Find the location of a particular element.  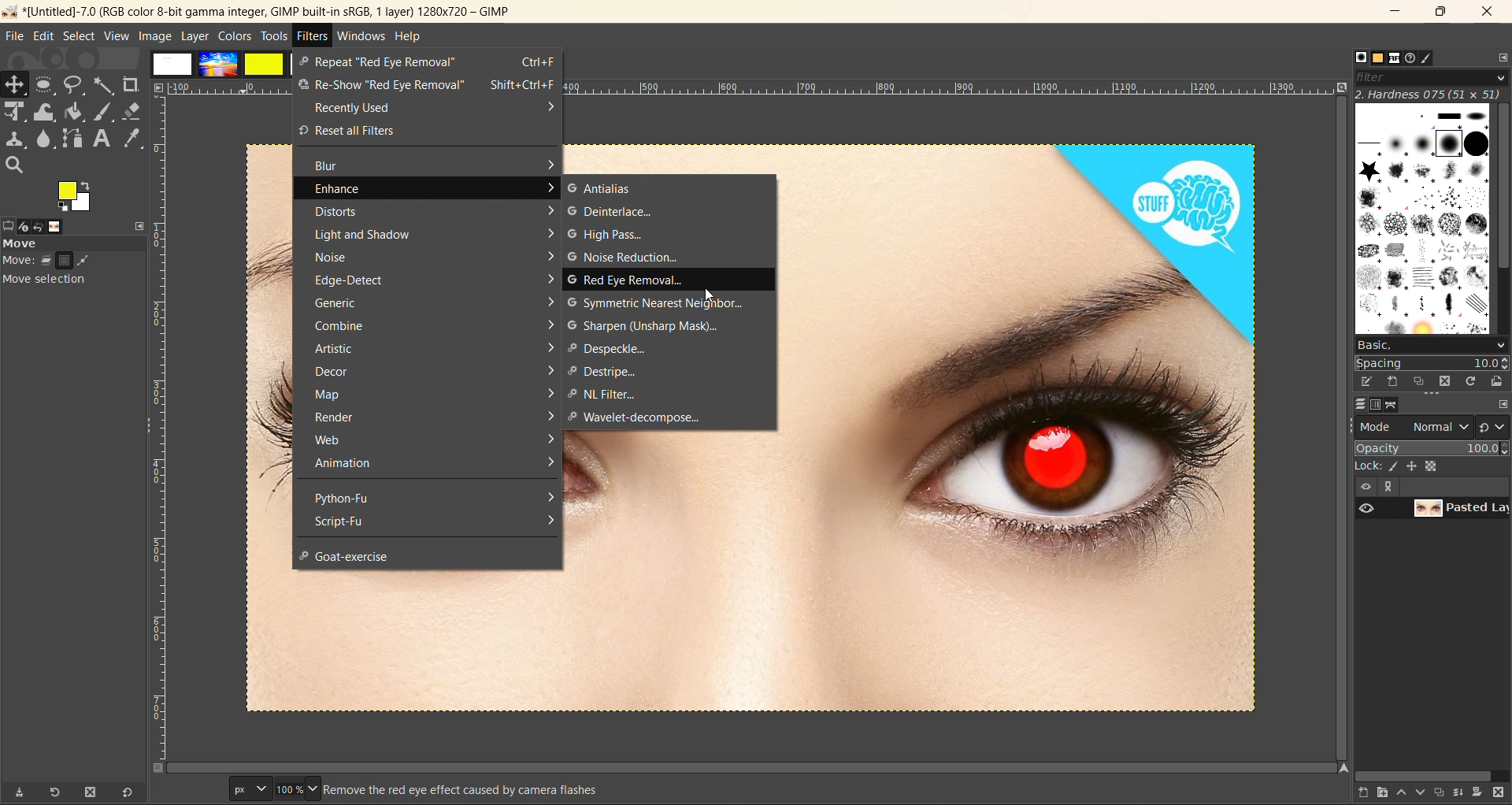

app name and file name is located at coordinates (264, 9).